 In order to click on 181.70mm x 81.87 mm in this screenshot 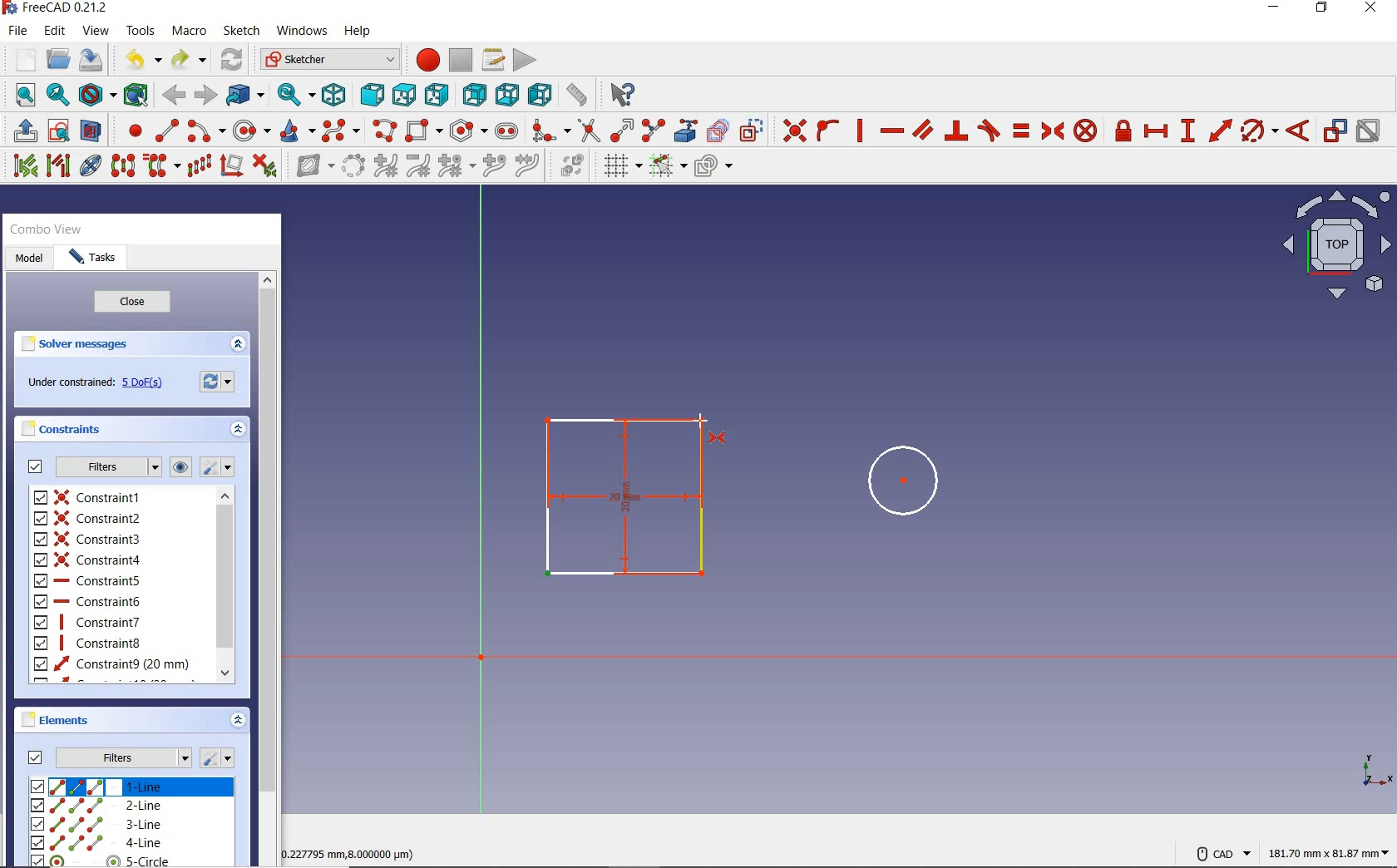, I will do `click(1330, 855)`.